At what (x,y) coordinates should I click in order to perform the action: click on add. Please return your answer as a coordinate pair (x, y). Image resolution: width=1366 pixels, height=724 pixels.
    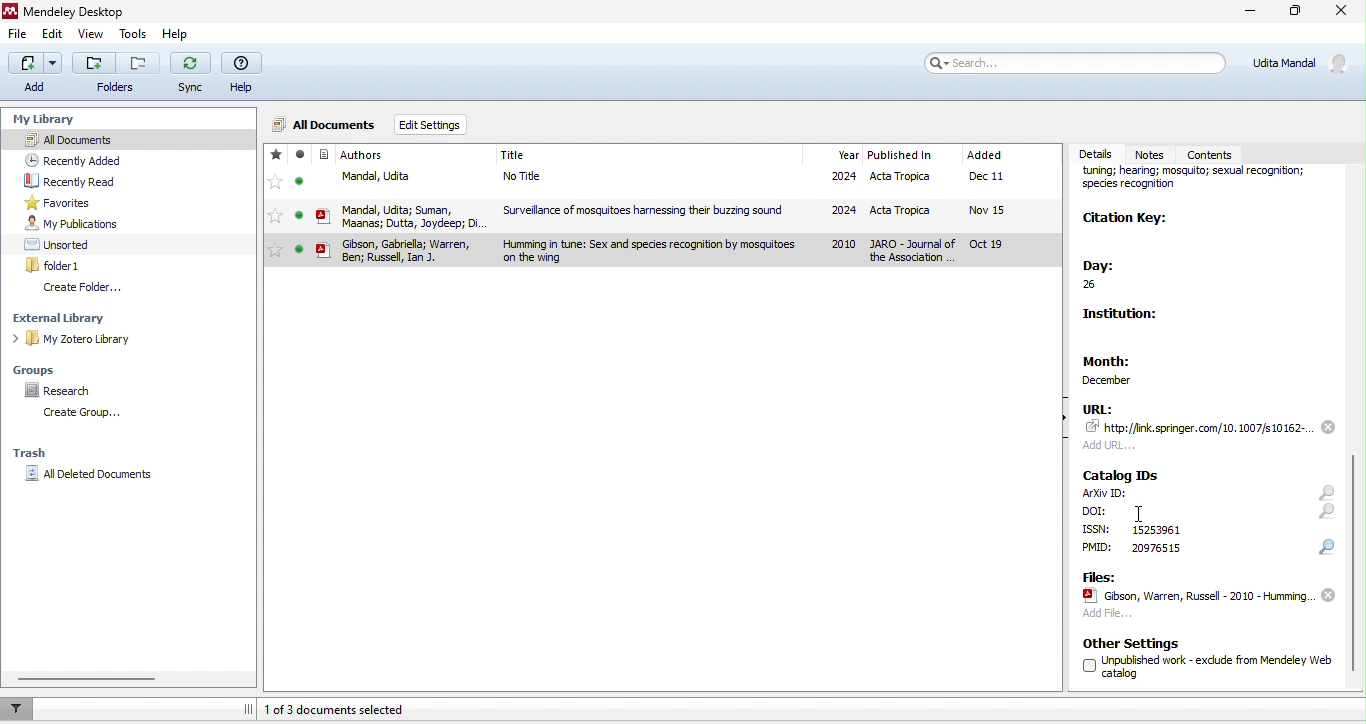
    Looking at the image, I should click on (1114, 444).